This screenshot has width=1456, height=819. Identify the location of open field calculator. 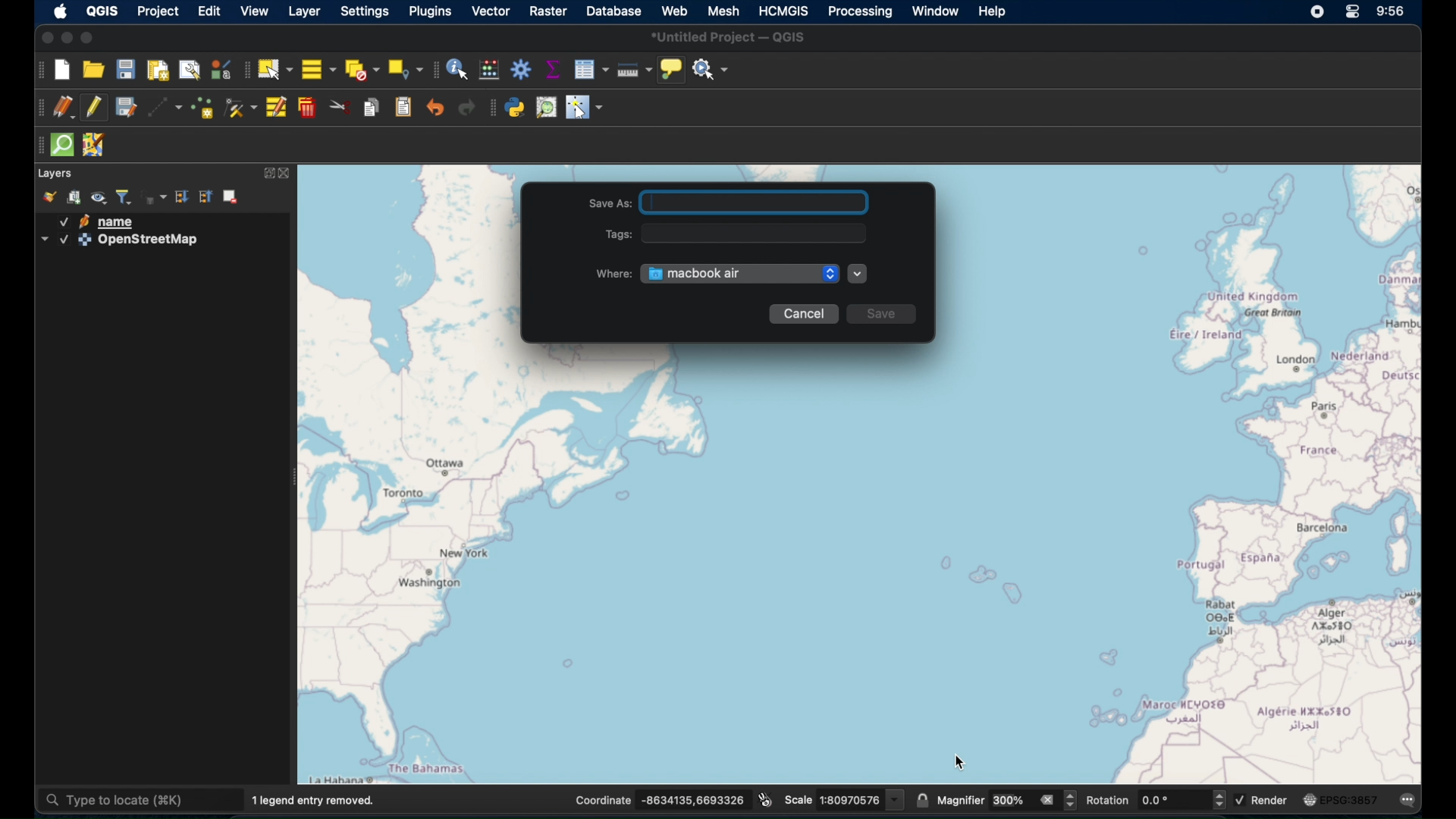
(488, 70).